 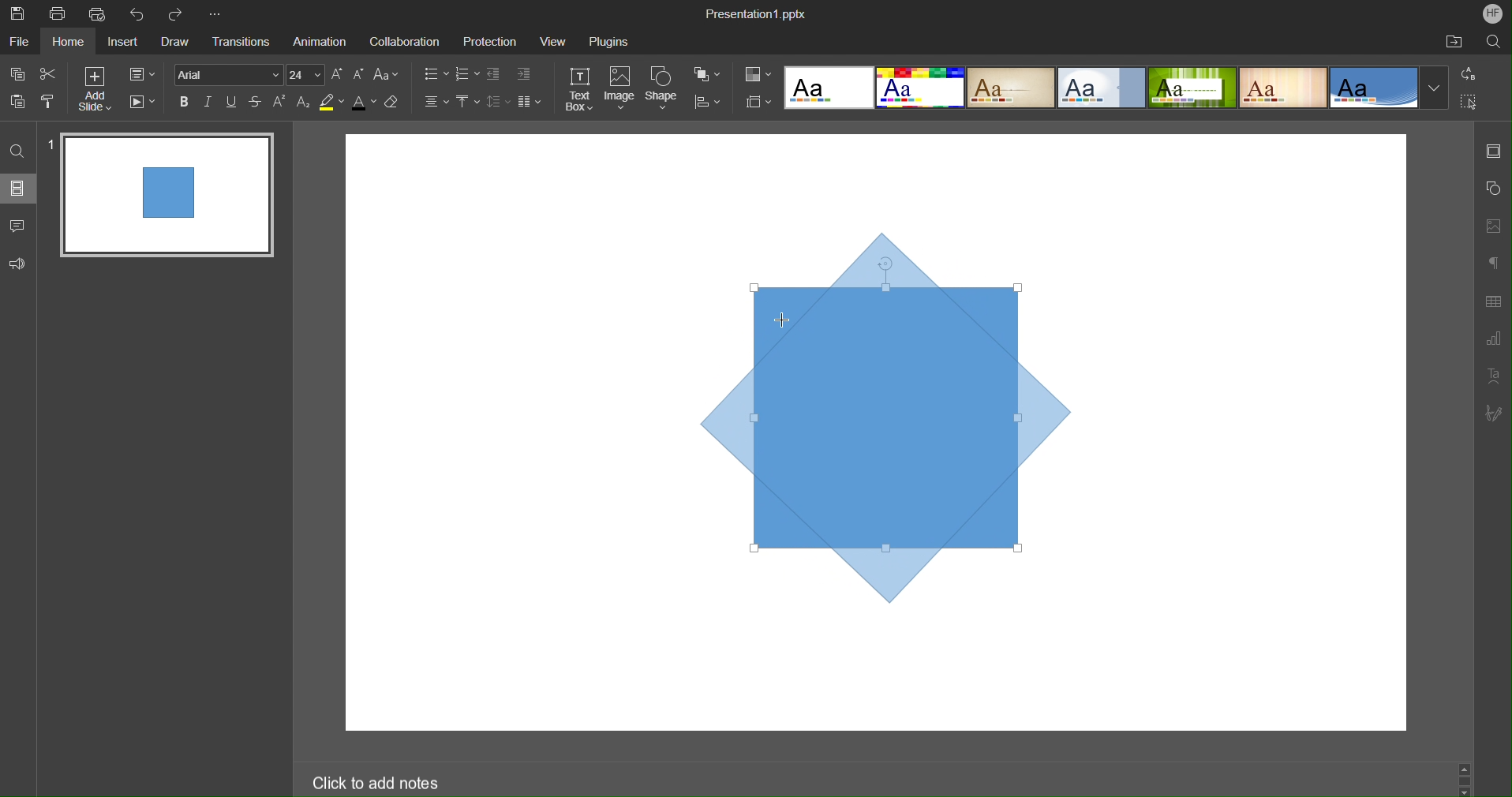 I want to click on Font Case Settings, so click(x=386, y=75).